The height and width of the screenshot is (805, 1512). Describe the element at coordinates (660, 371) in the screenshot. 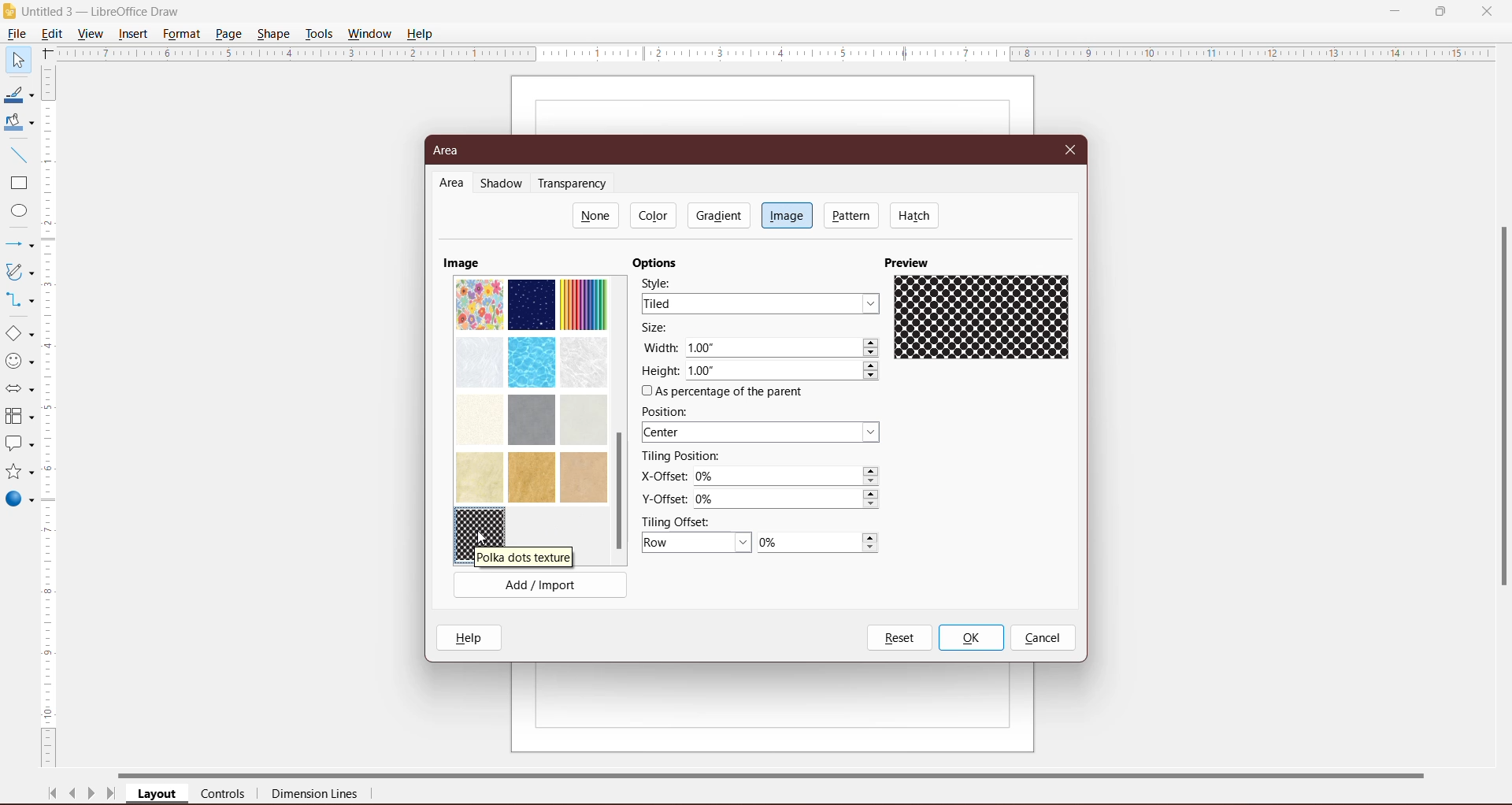

I see `Height` at that location.